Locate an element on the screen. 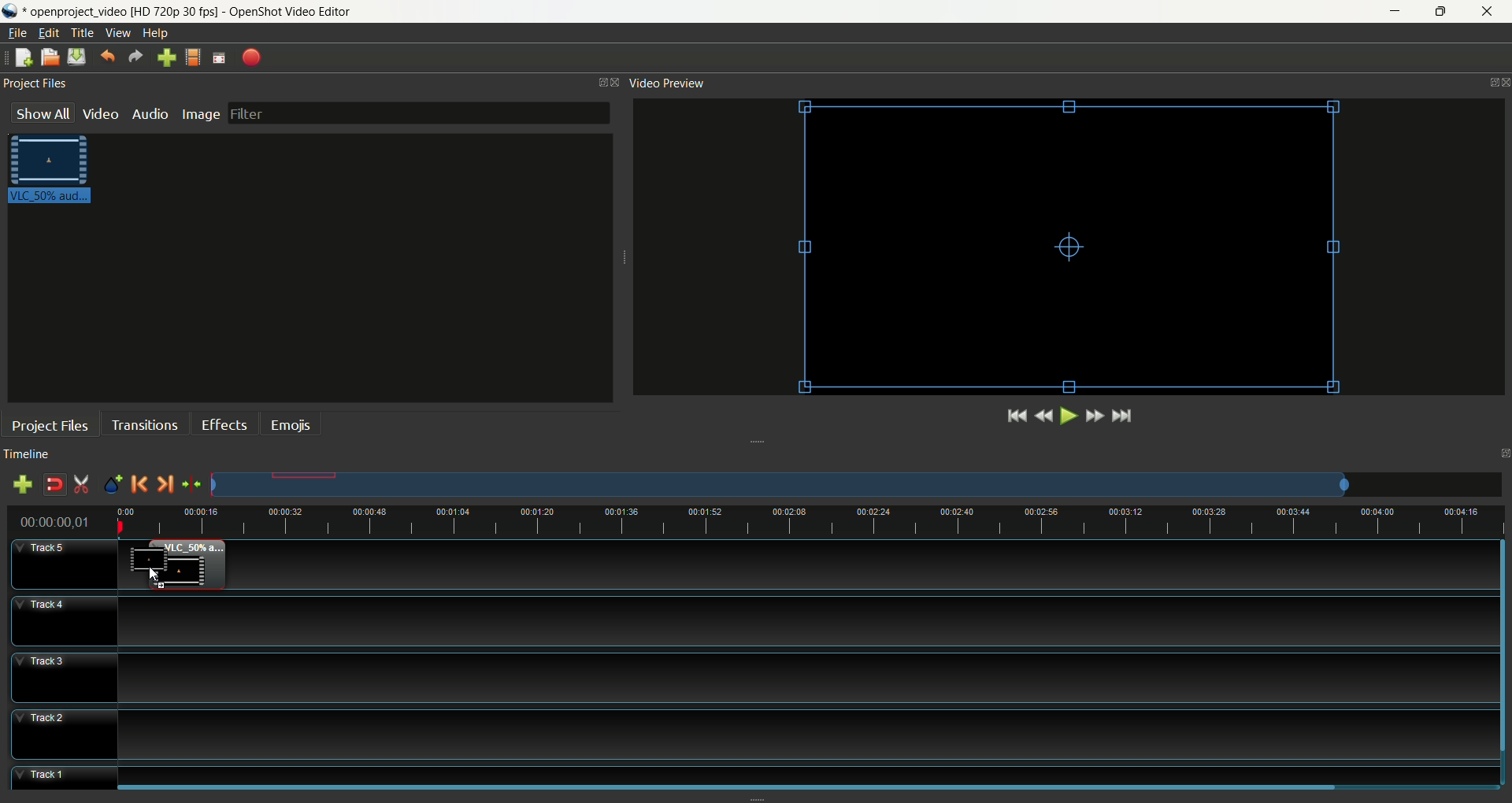 The height and width of the screenshot is (803, 1512). jump to start is located at coordinates (1015, 417).